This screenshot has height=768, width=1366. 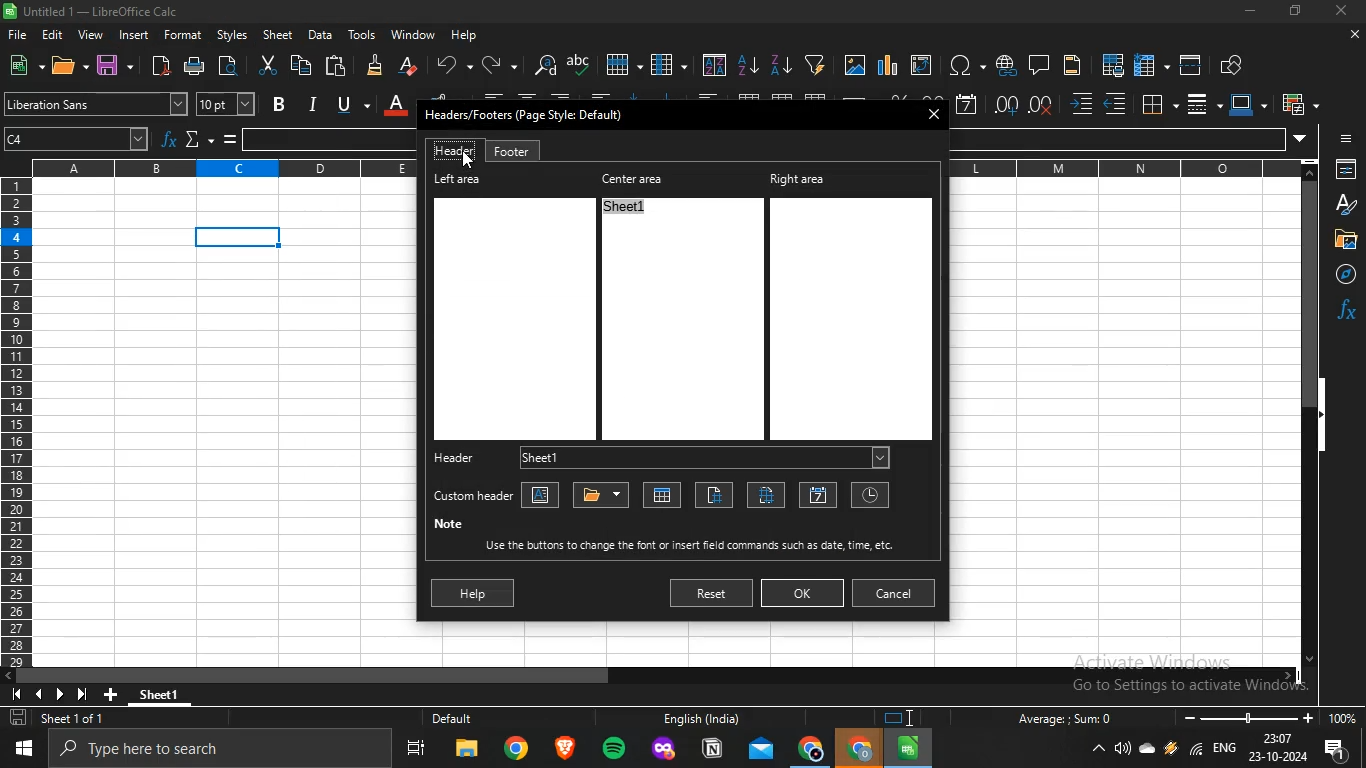 What do you see at coordinates (712, 750) in the screenshot?
I see `notion` at bounding box center [712, 750].